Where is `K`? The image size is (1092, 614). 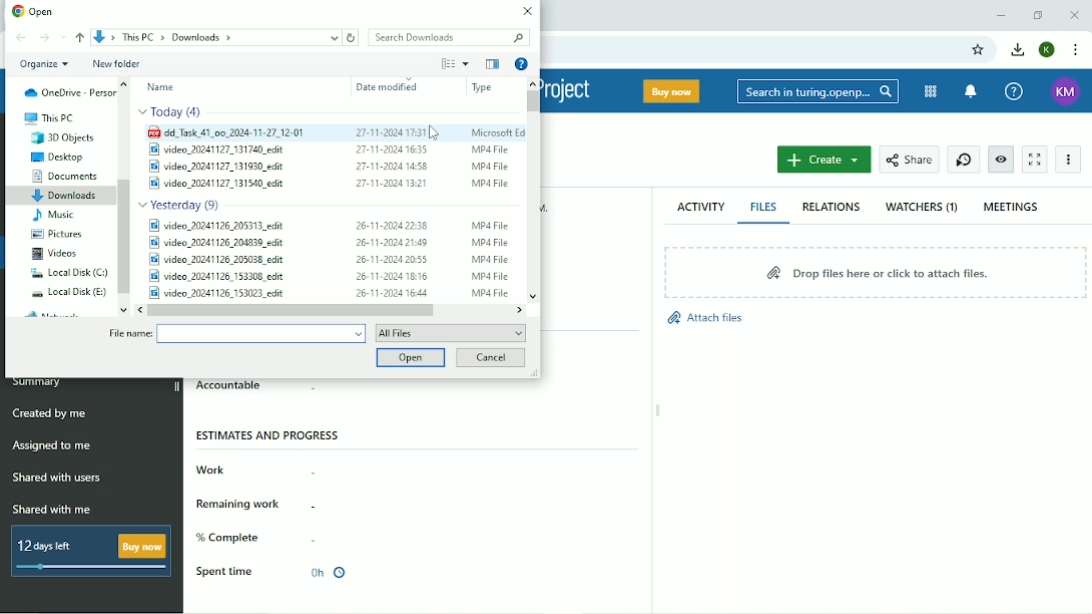 K is located at coordinates (1046, 50).